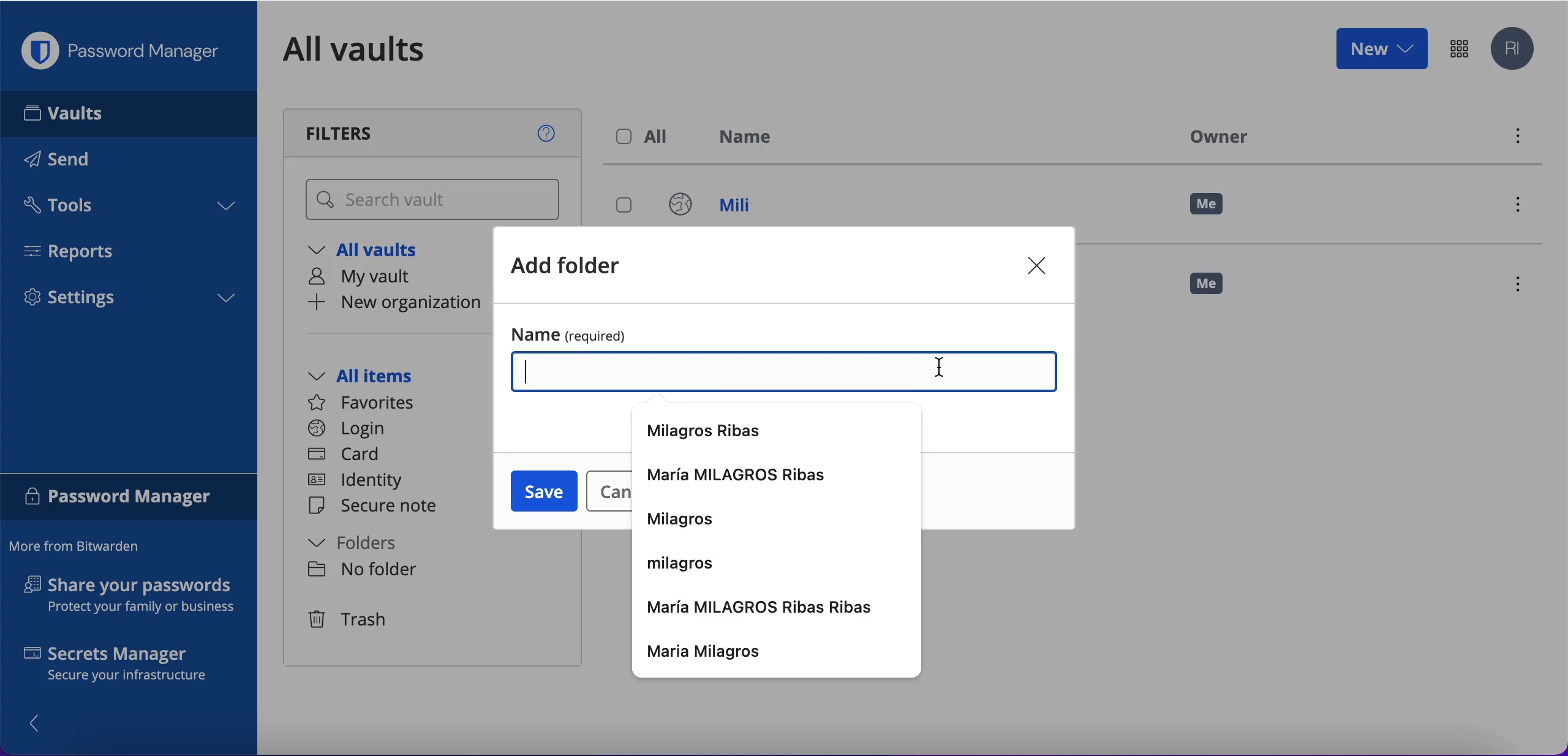 The width and height of the screenshot is (1568, 756). I want to click on vaults, so click(129, 113).